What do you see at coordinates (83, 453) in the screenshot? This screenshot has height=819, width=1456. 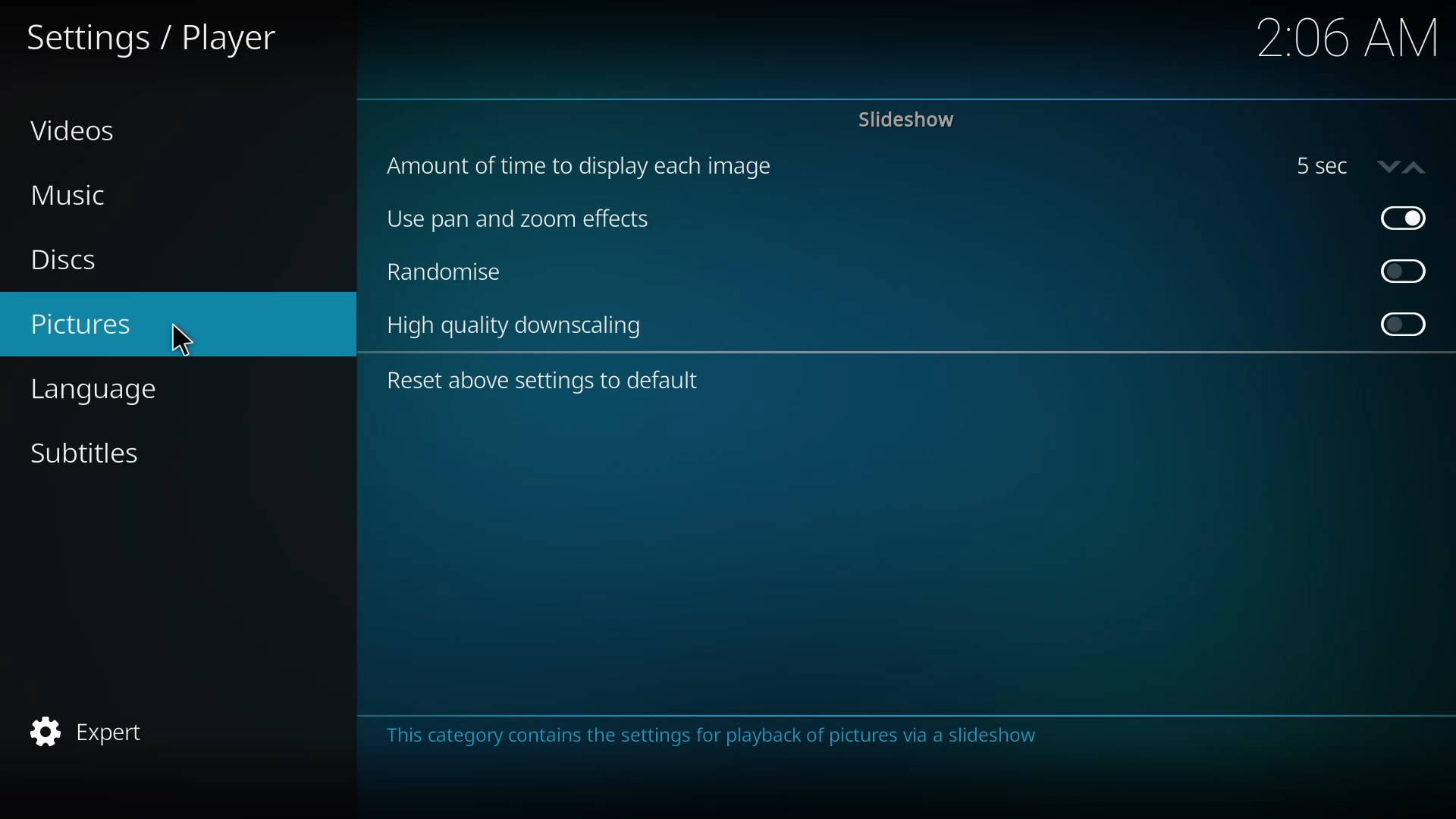 I see `subtitles` at bounding box center [83, 453].